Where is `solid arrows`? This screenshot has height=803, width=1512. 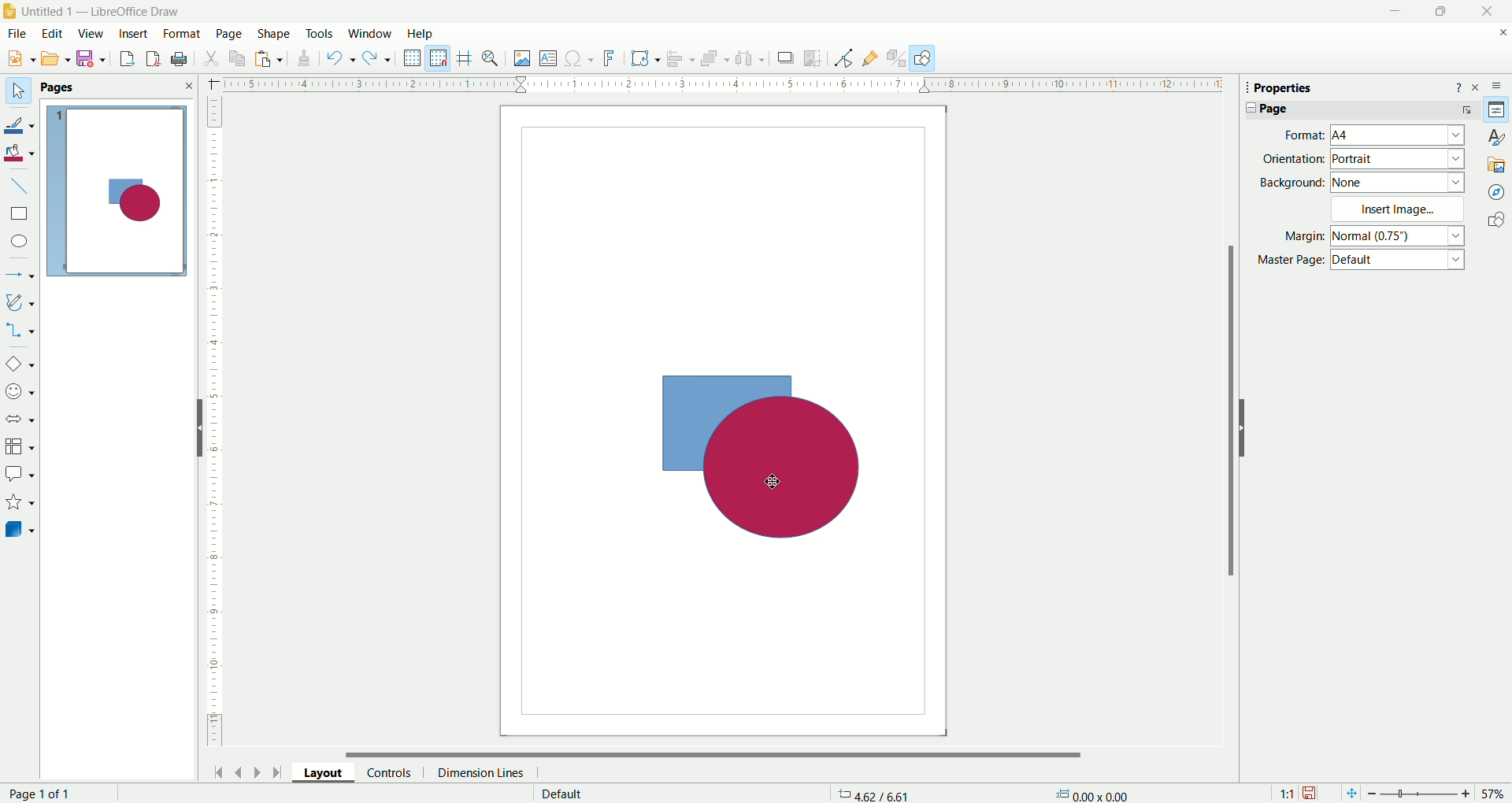
solid arrows is located at coordinates (20, 420).